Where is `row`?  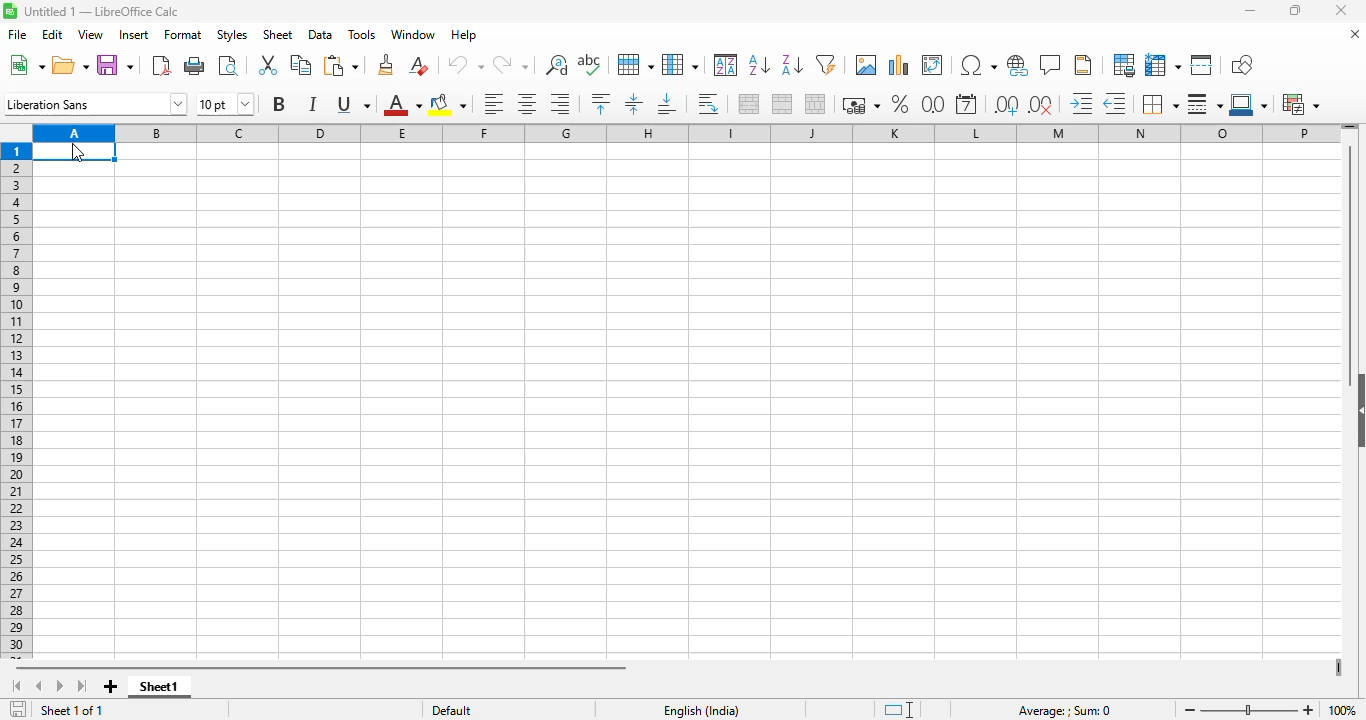
row is located at coordinates (634, 65).